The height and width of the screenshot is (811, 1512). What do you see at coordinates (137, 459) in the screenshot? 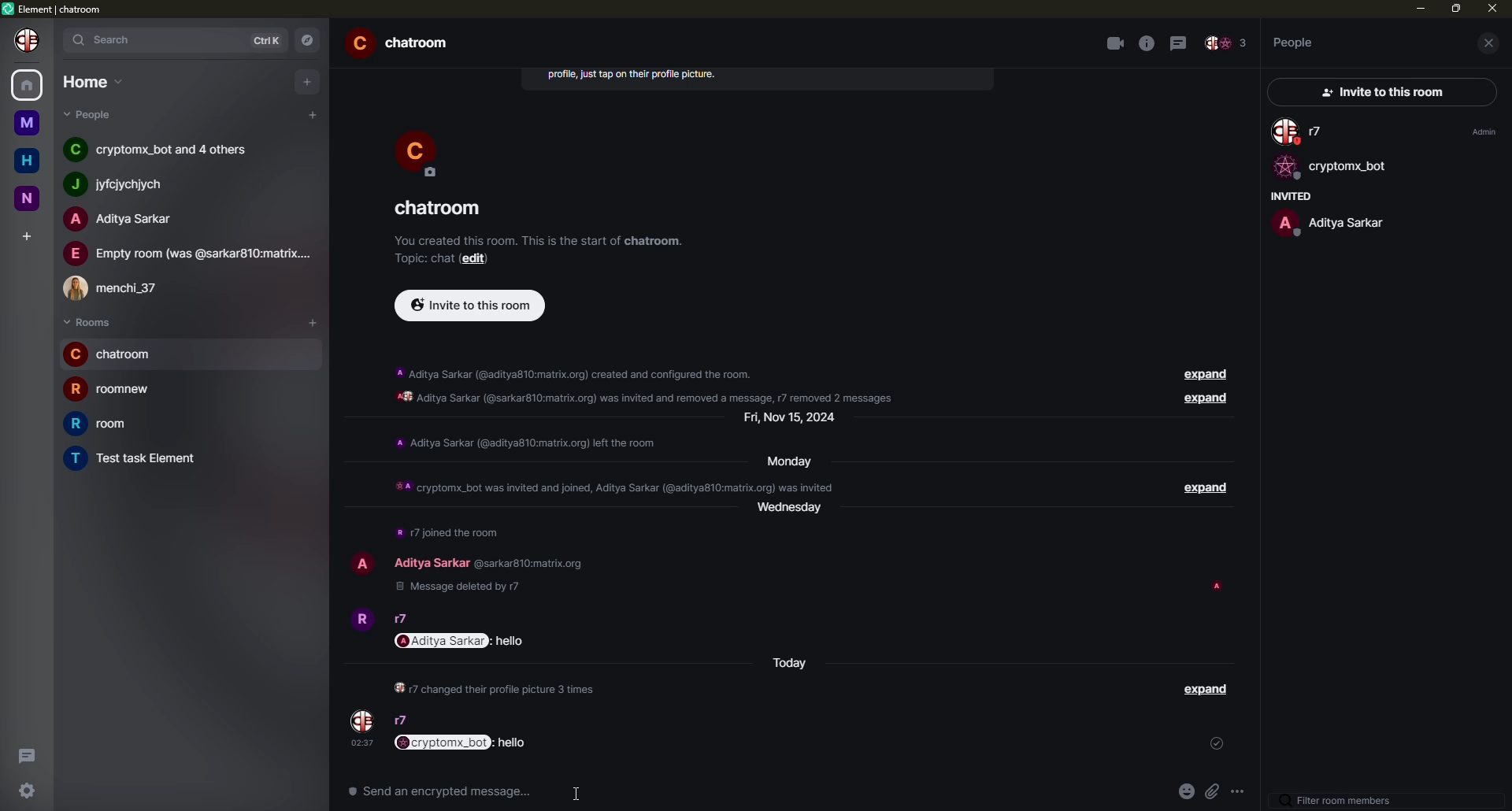
I see `room` at bounding box center [137, 459].